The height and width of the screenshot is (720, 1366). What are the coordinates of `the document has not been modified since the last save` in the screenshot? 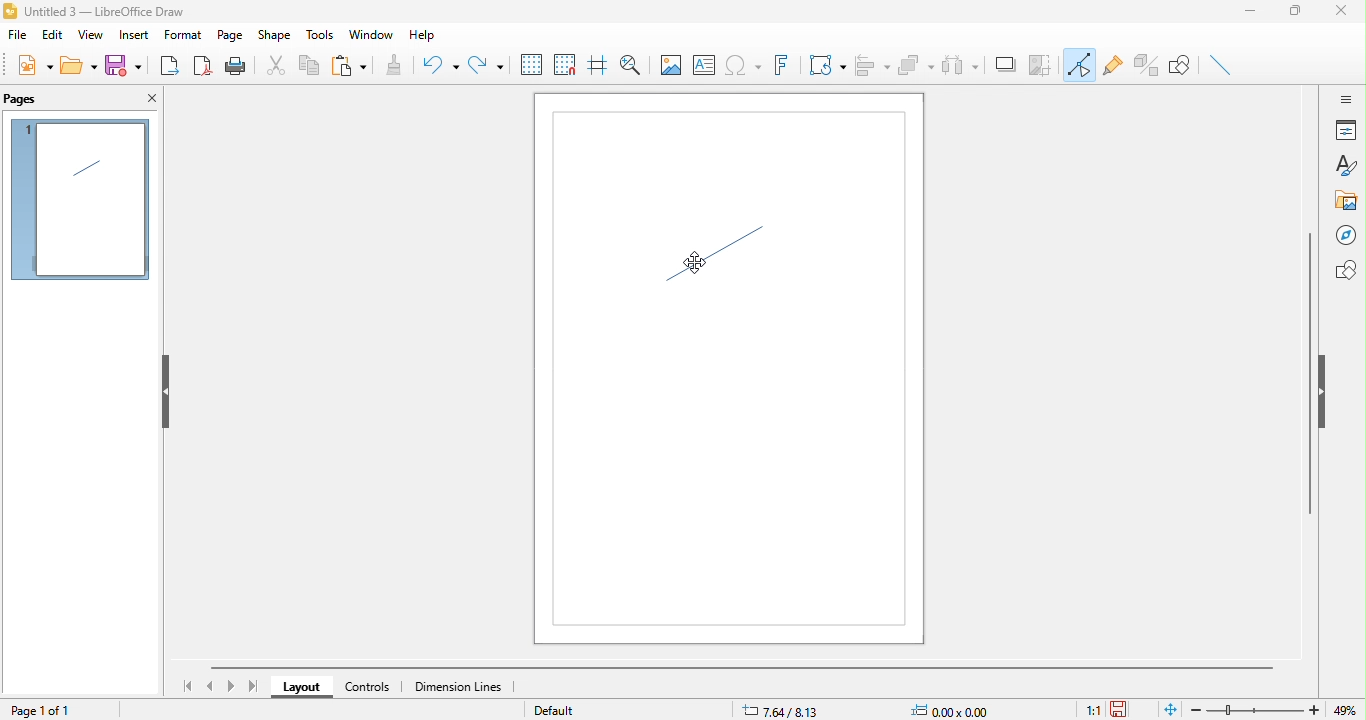 It's located at (1127, 709).